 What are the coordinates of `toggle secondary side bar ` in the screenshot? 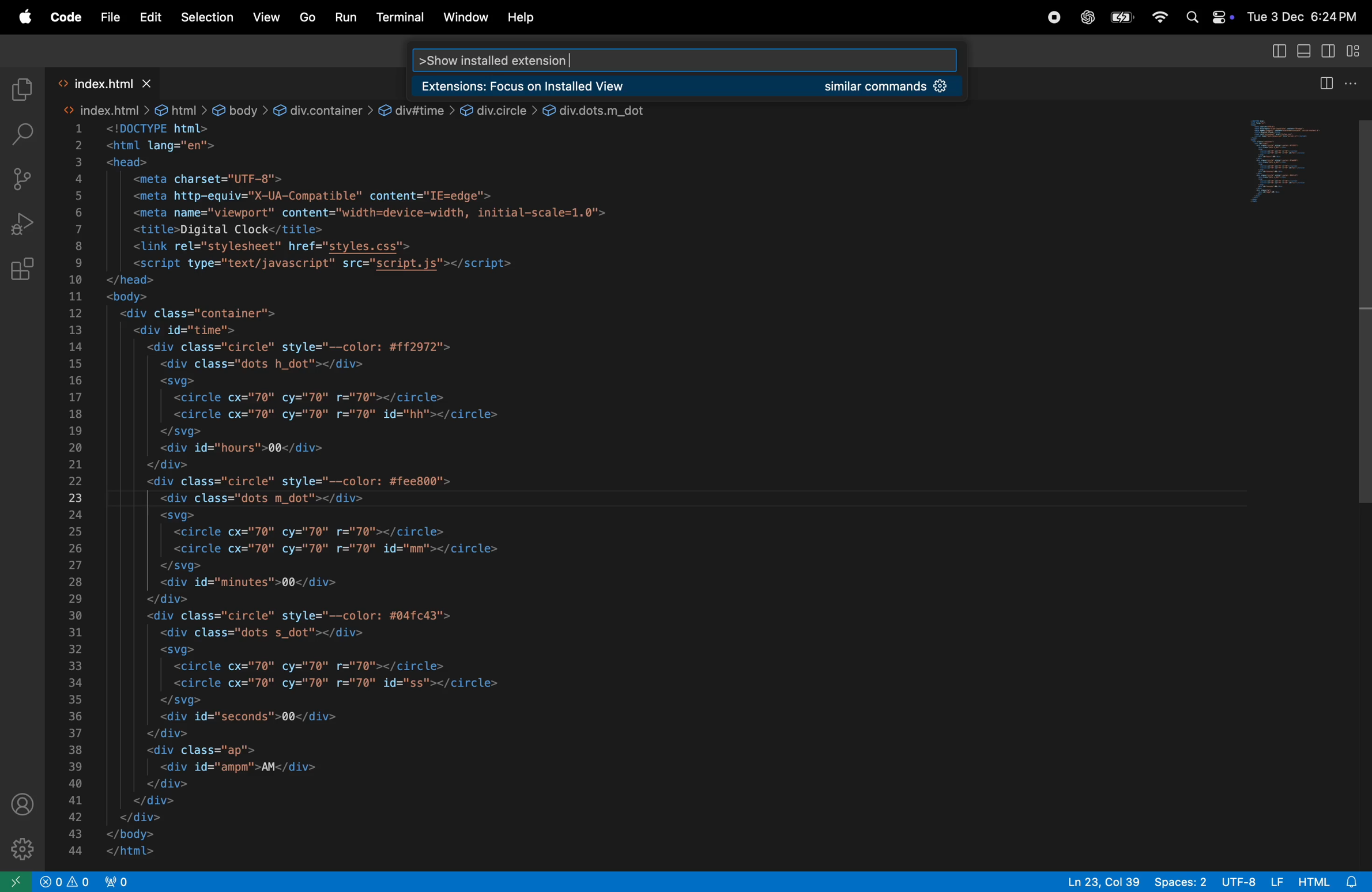 It's located at (1327, 50).